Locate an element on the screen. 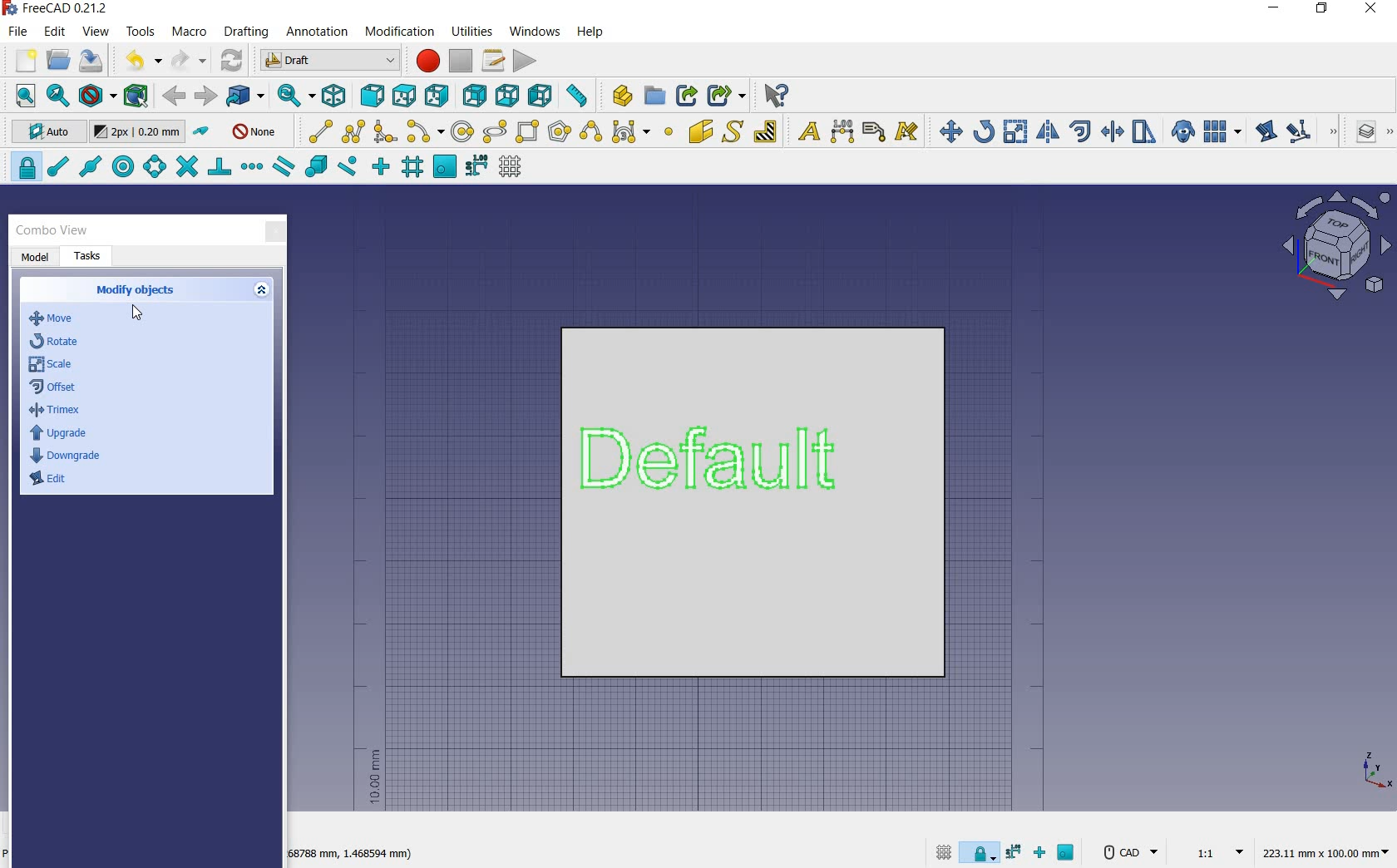 The width and height of the screenshot is (1397, 868). snap angle is located at coordinates (152, 168).